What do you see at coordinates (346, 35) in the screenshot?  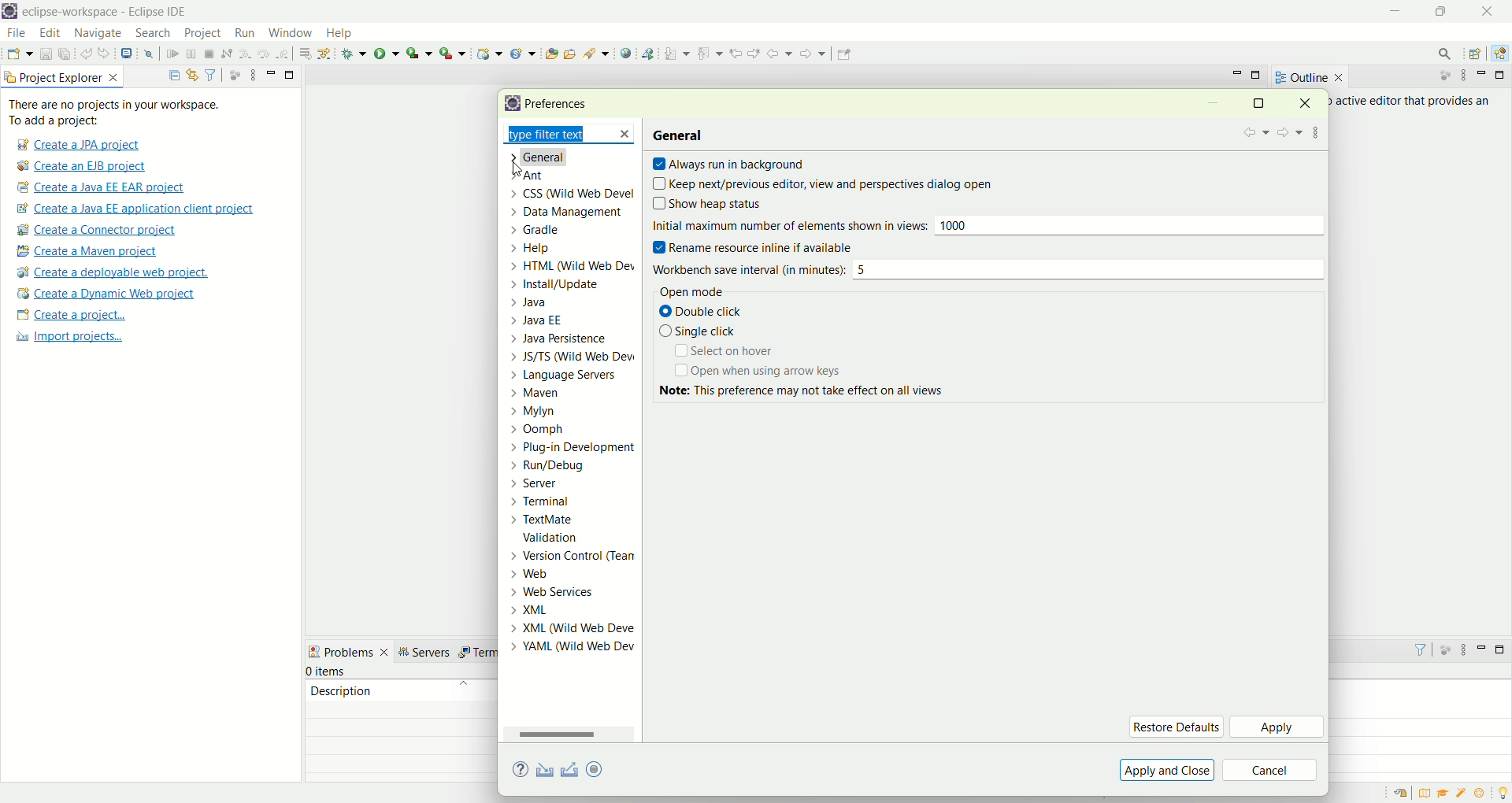 I see `help` at bounding box center [346, 35].